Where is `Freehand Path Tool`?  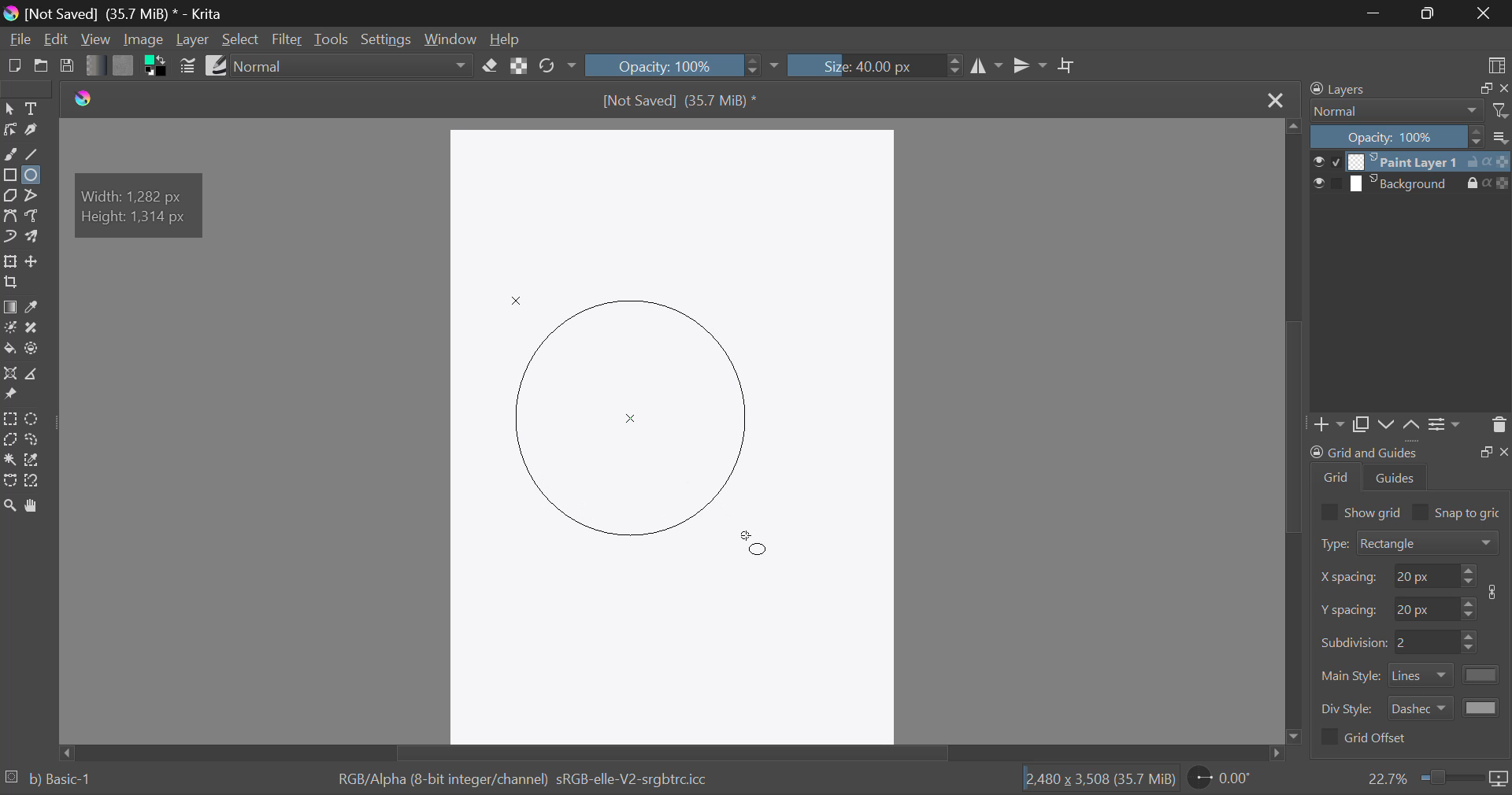 Freehand Path Tool is located at coordinates (33, 215).